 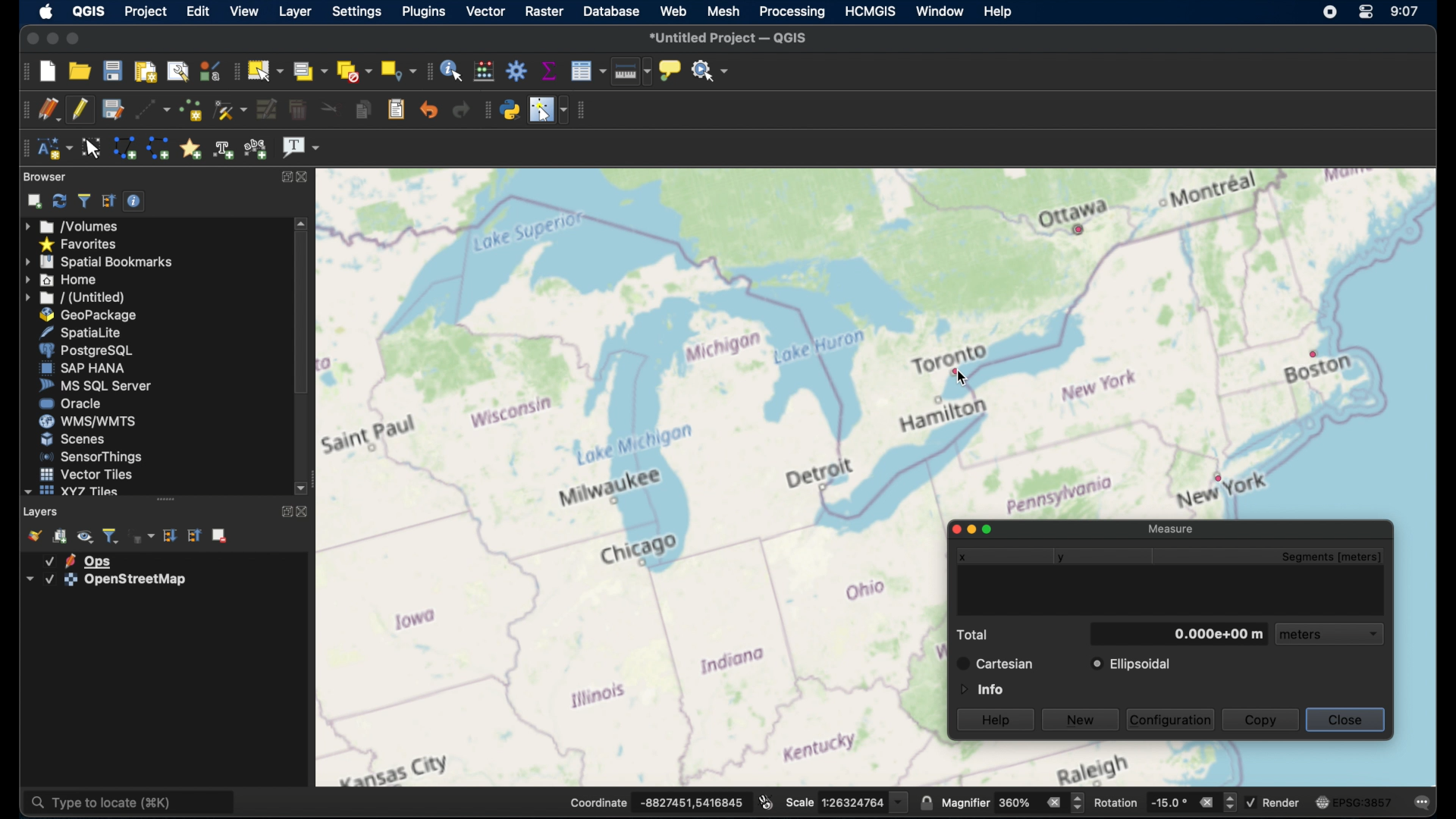 I want to click on maximize, so click(x=991, y=531).